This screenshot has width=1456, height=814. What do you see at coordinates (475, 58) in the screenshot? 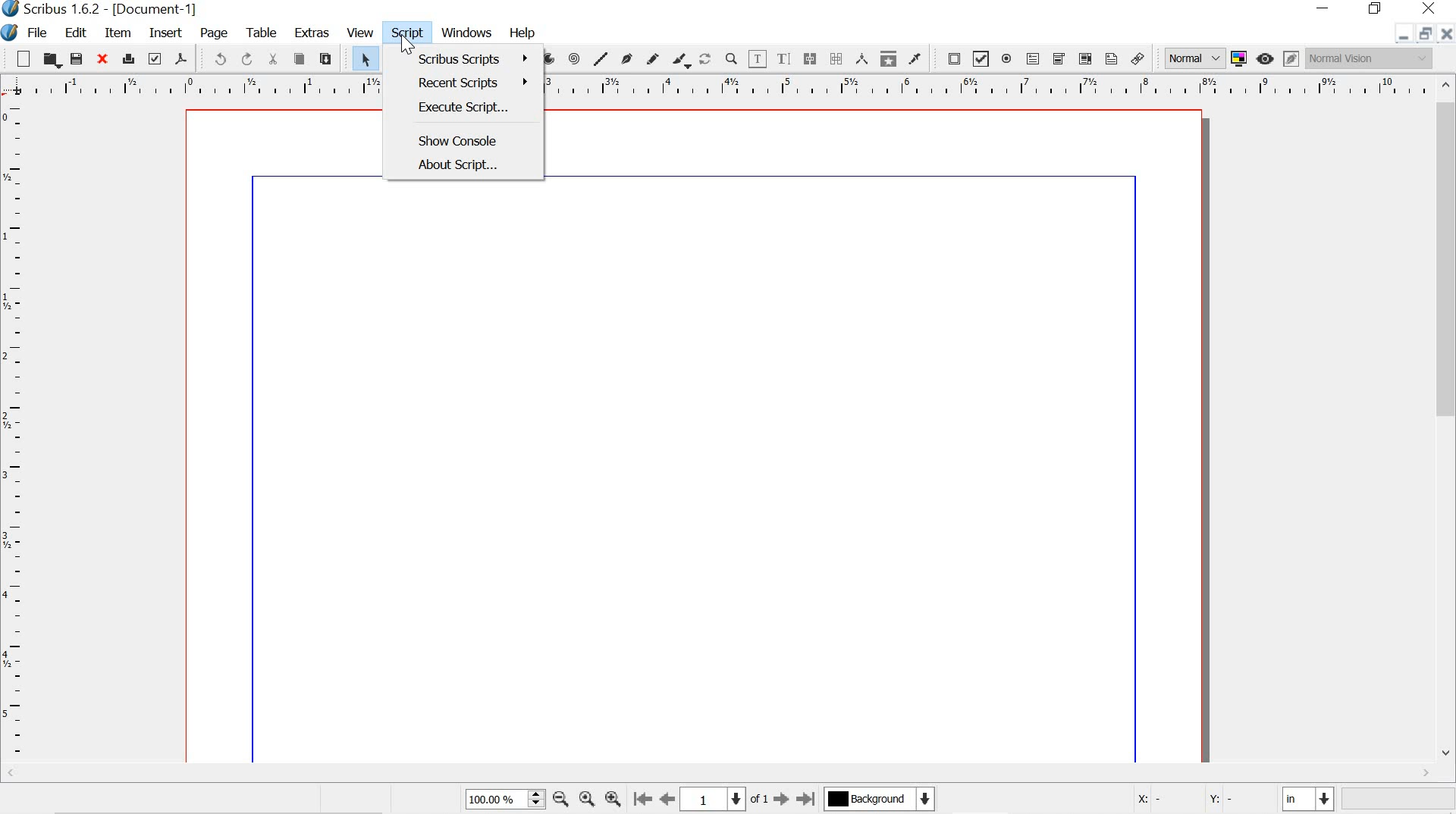
I see `Scribus script` at bounding box center [475, 58].